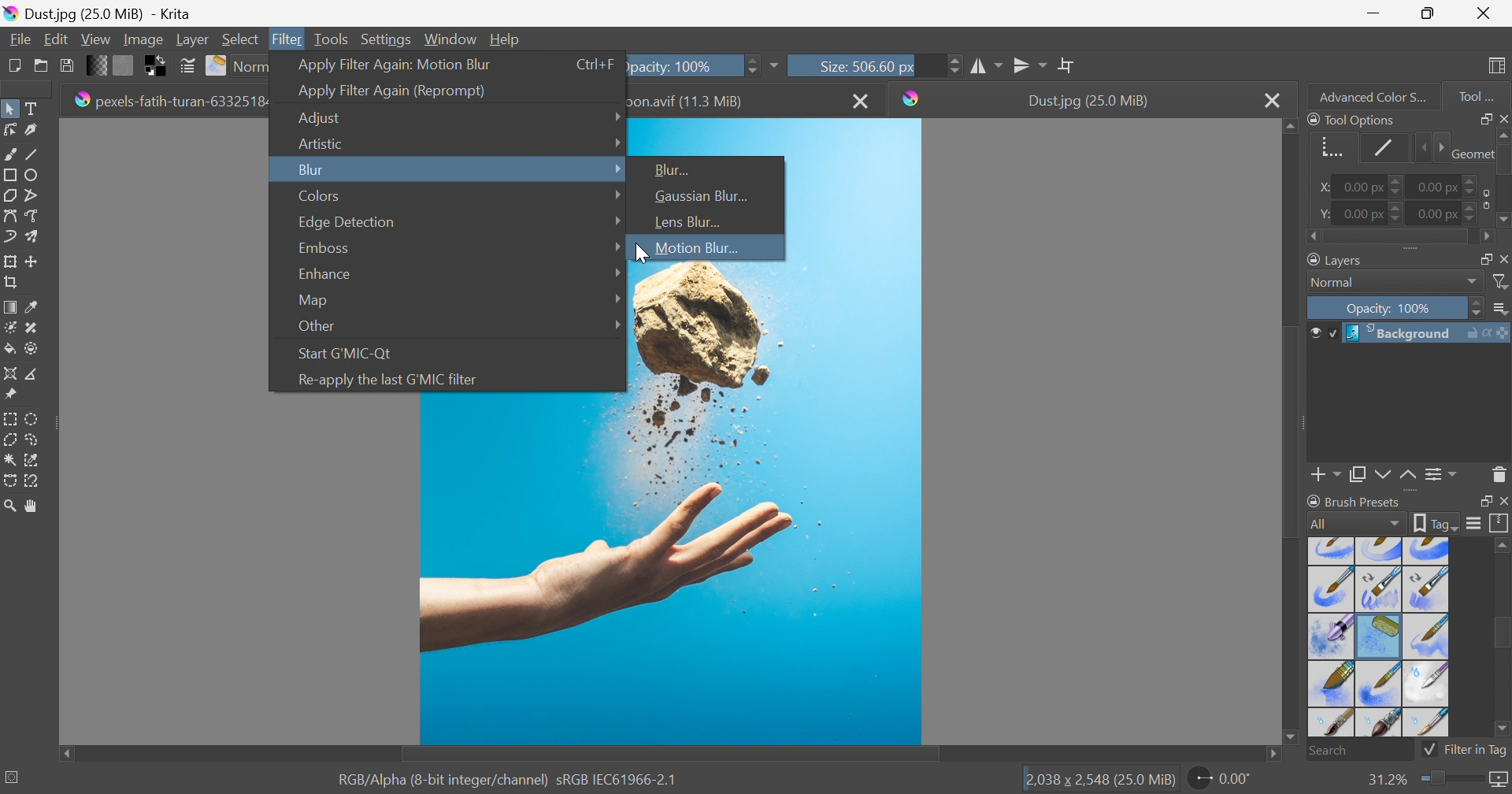 Image resolution: width=1512 pixels, height=794 pixels. I want to click on Ellipse tool, so click(36, 174).